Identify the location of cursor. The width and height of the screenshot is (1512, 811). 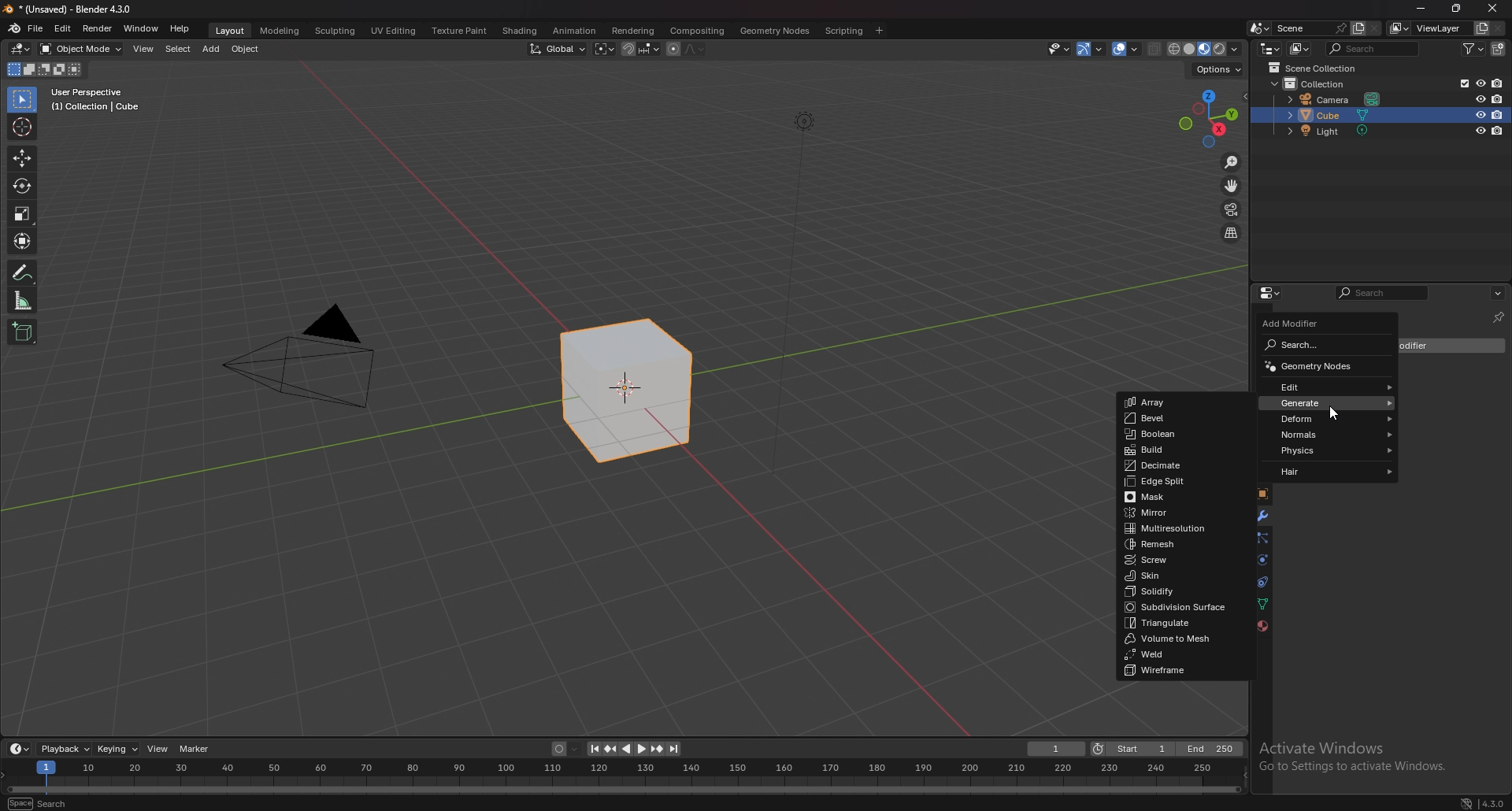
(22, 126).